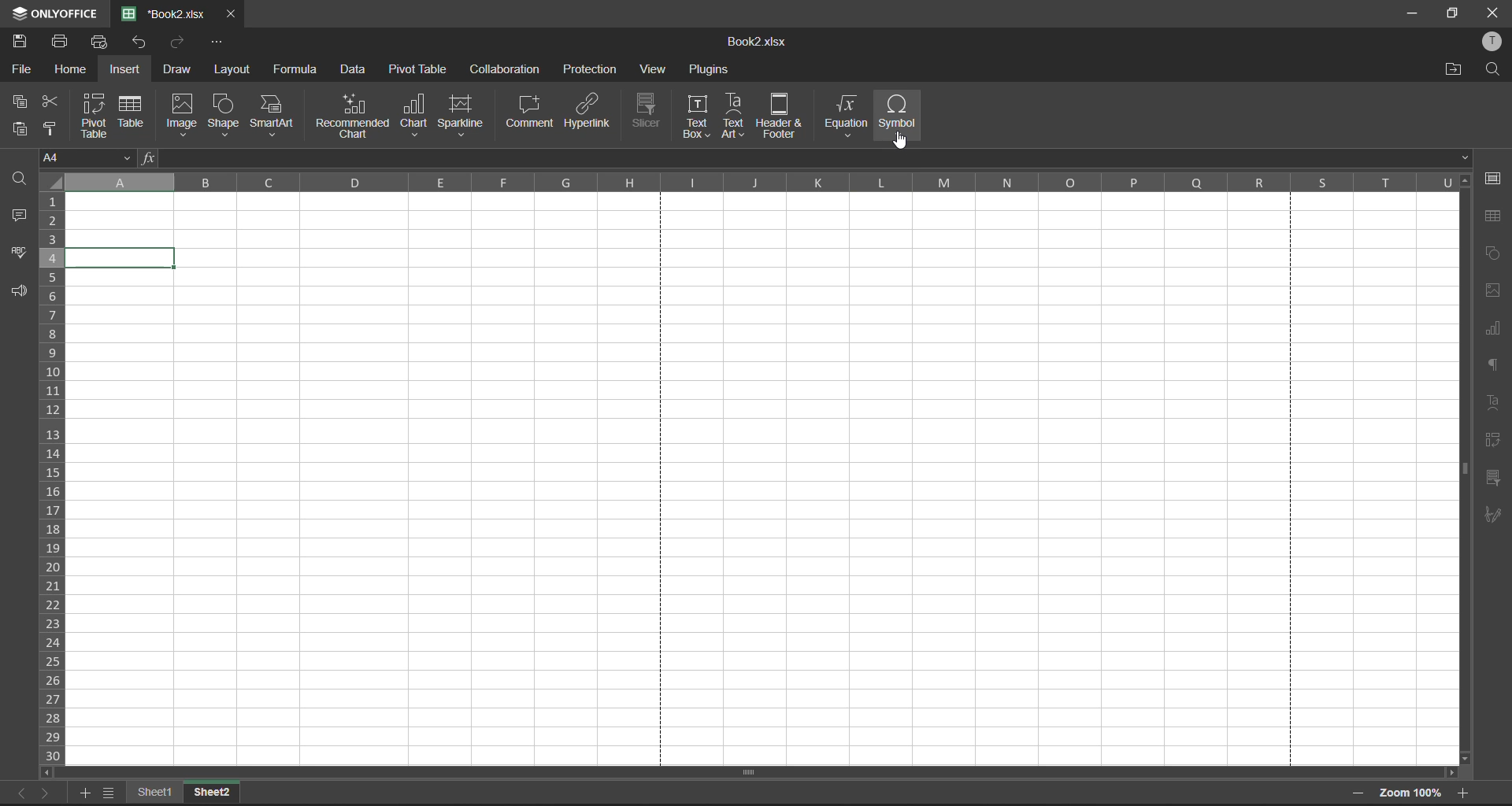 The width and height of the screenshot is (1512, 806). I want to click on Sheet2, so click(211, 792).